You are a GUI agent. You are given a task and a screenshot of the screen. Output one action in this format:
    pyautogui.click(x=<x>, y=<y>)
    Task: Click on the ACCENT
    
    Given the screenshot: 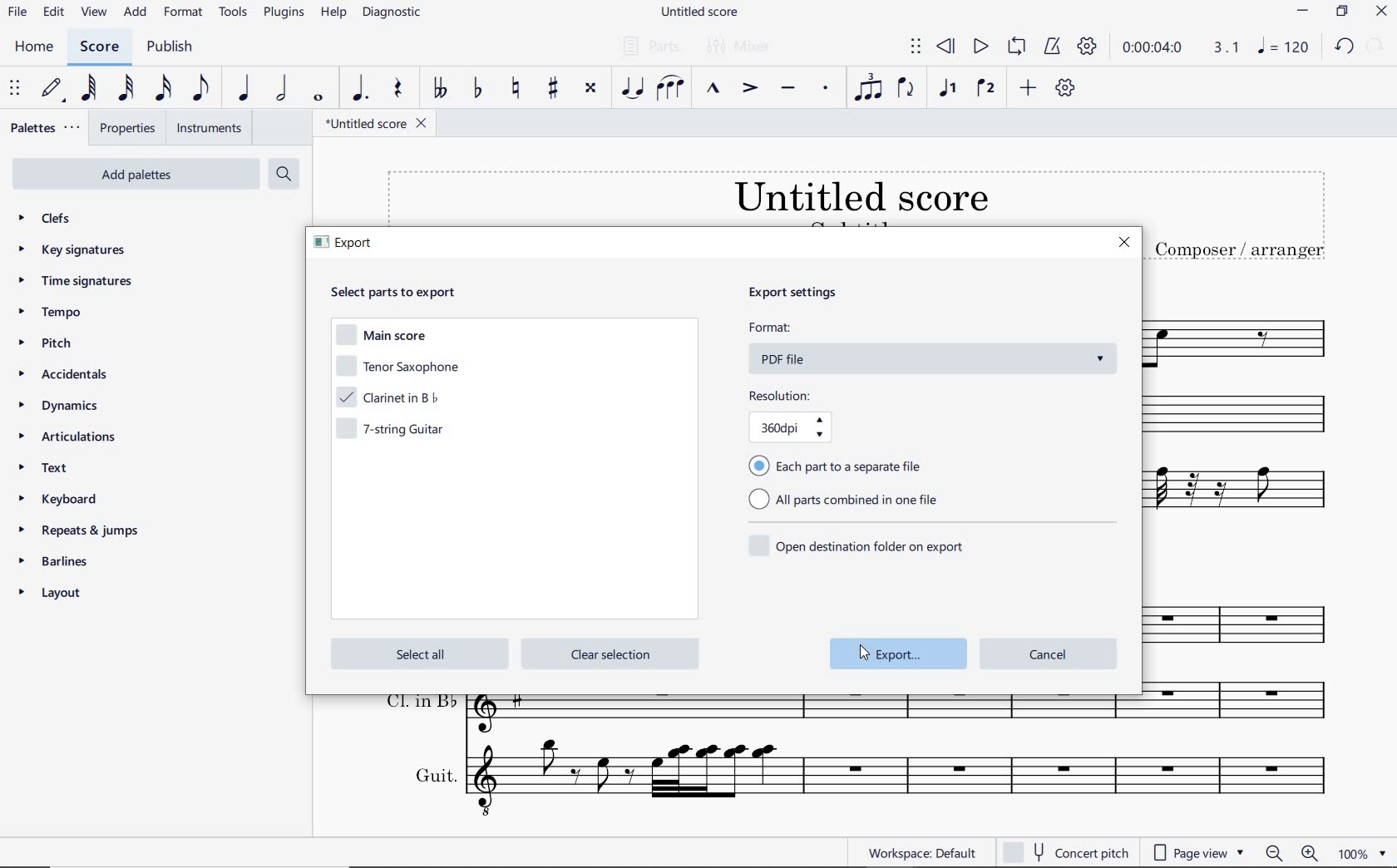 What is the action you would take?
    pyautogui.click(x=749, y=86)
    